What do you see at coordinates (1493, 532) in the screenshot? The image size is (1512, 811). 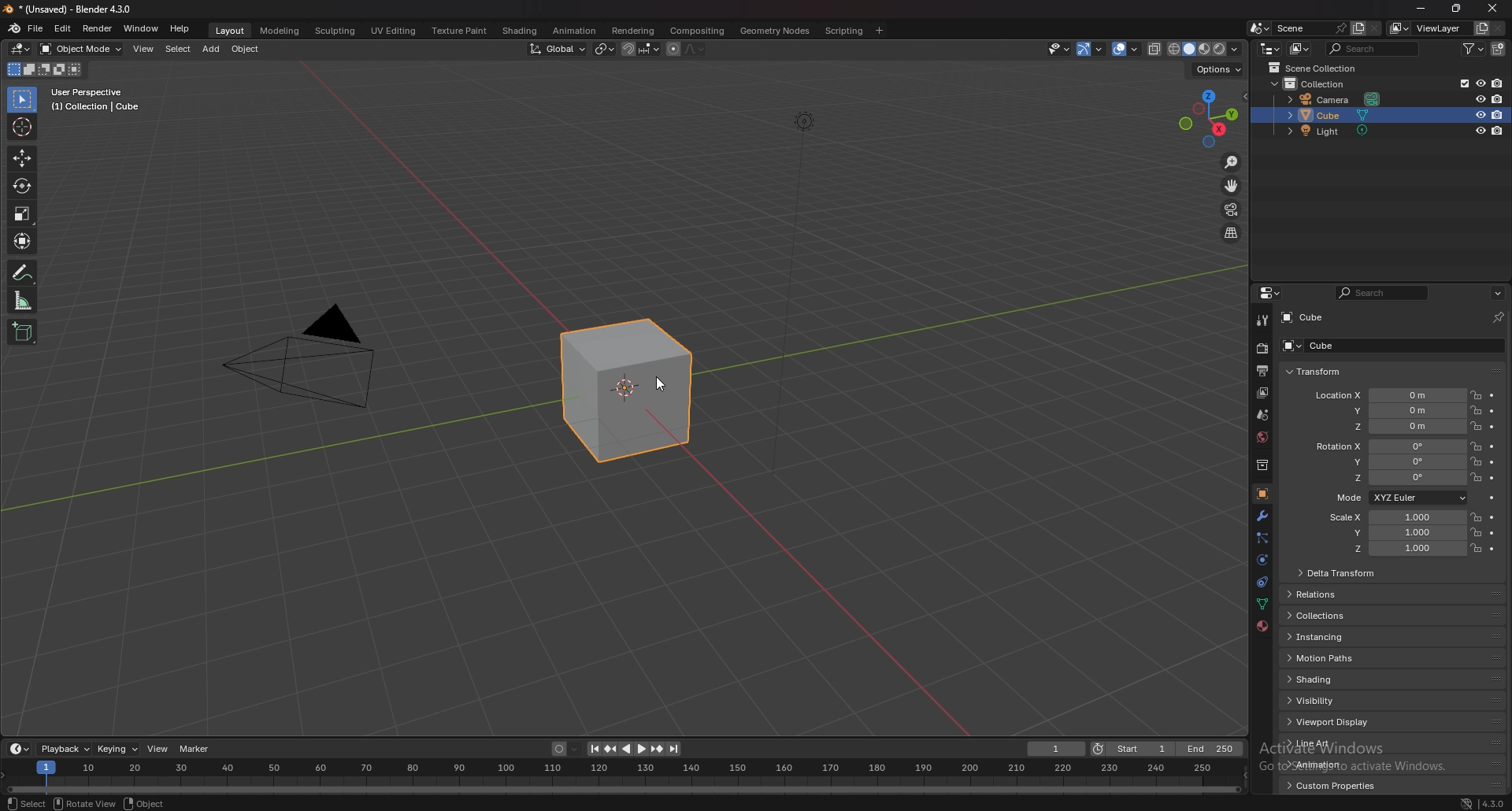 I see `animate property` at bounding box center [1493, 532].